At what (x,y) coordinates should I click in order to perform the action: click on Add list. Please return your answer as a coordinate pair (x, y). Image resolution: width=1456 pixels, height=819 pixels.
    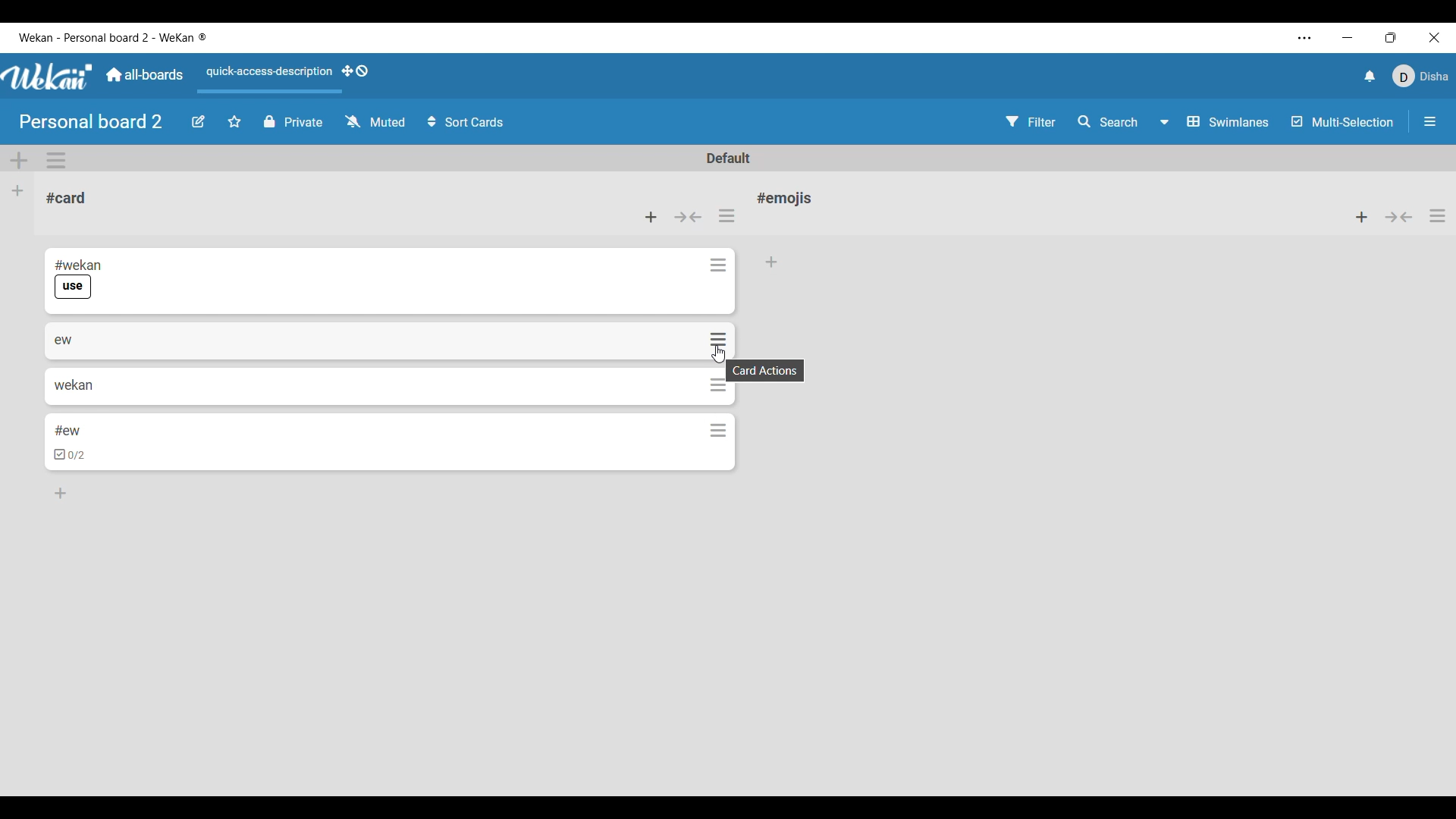
    Looking at the image, I should click on (17, 191).